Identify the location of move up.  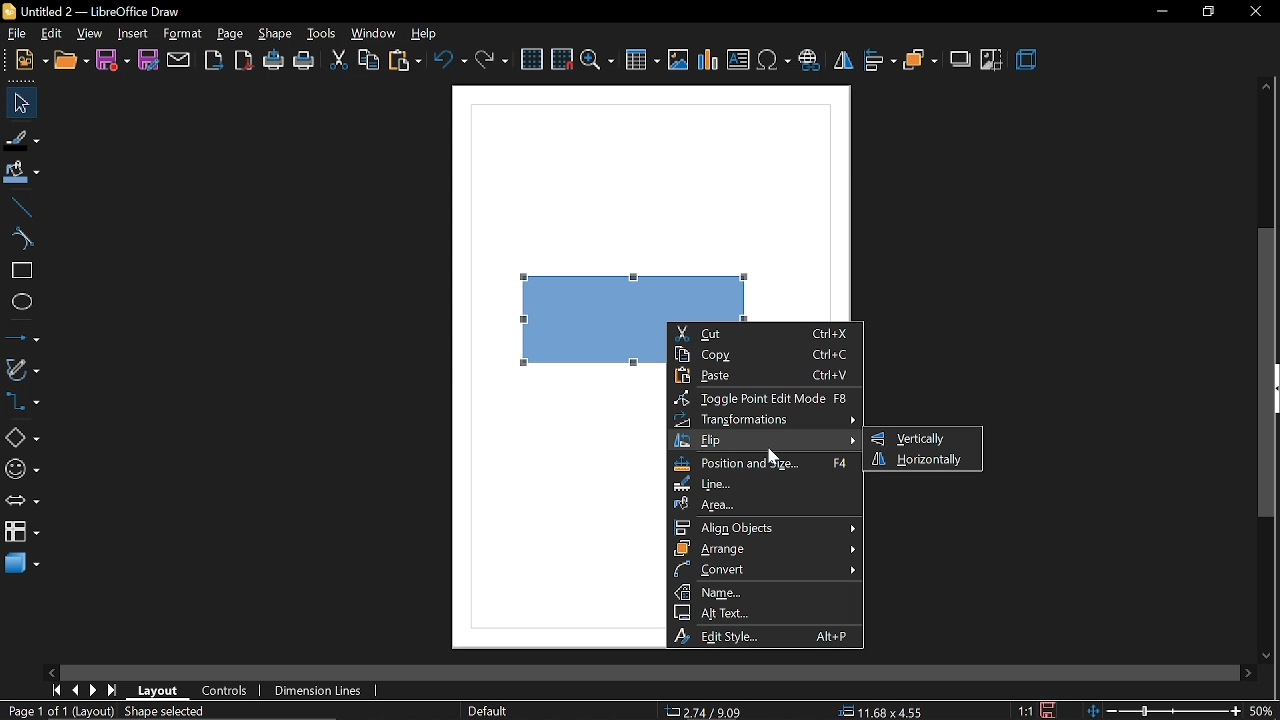
(1266, 84).